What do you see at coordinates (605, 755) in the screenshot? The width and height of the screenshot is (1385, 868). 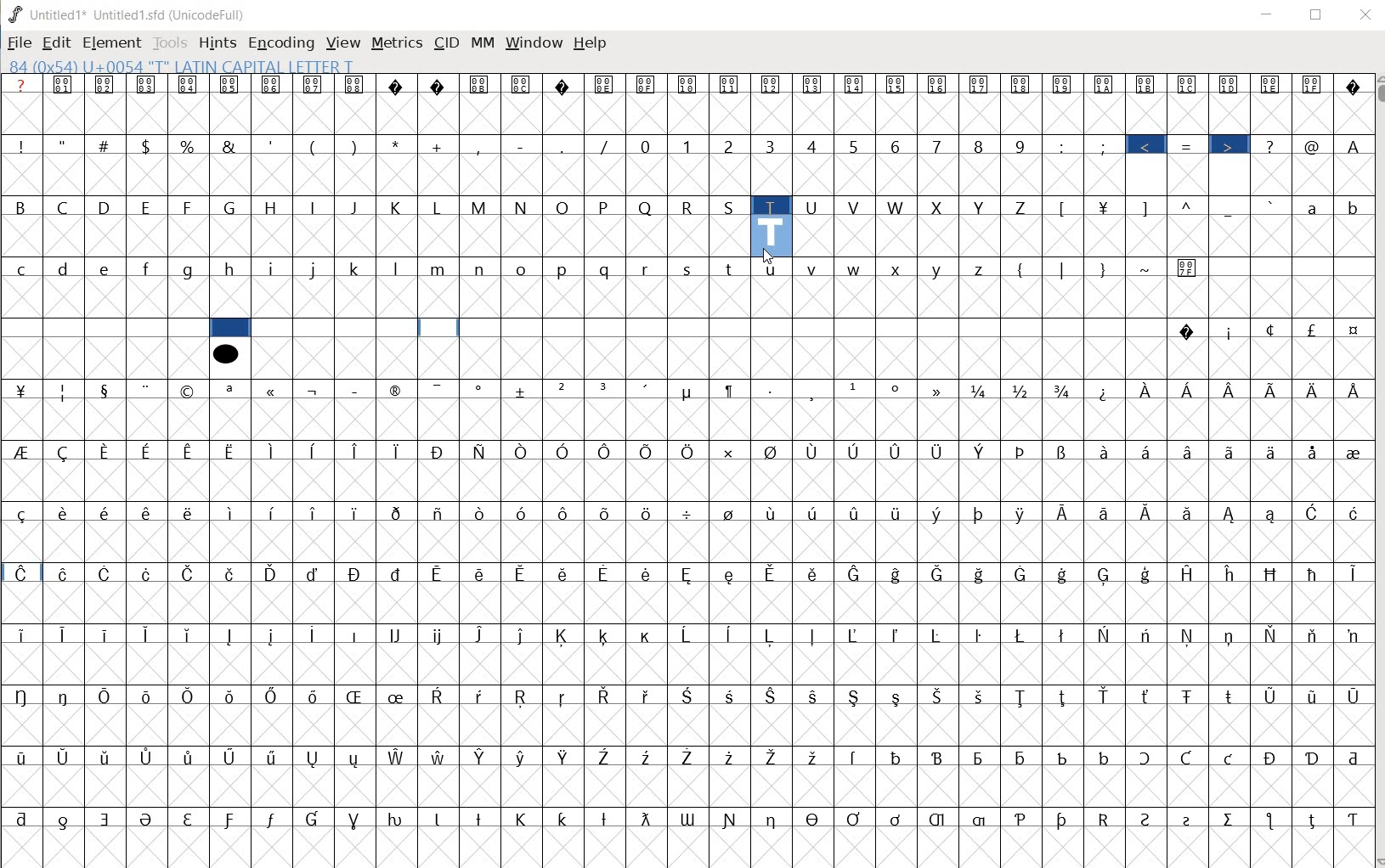 I see `Symbol` at bounding box center [605, 755].